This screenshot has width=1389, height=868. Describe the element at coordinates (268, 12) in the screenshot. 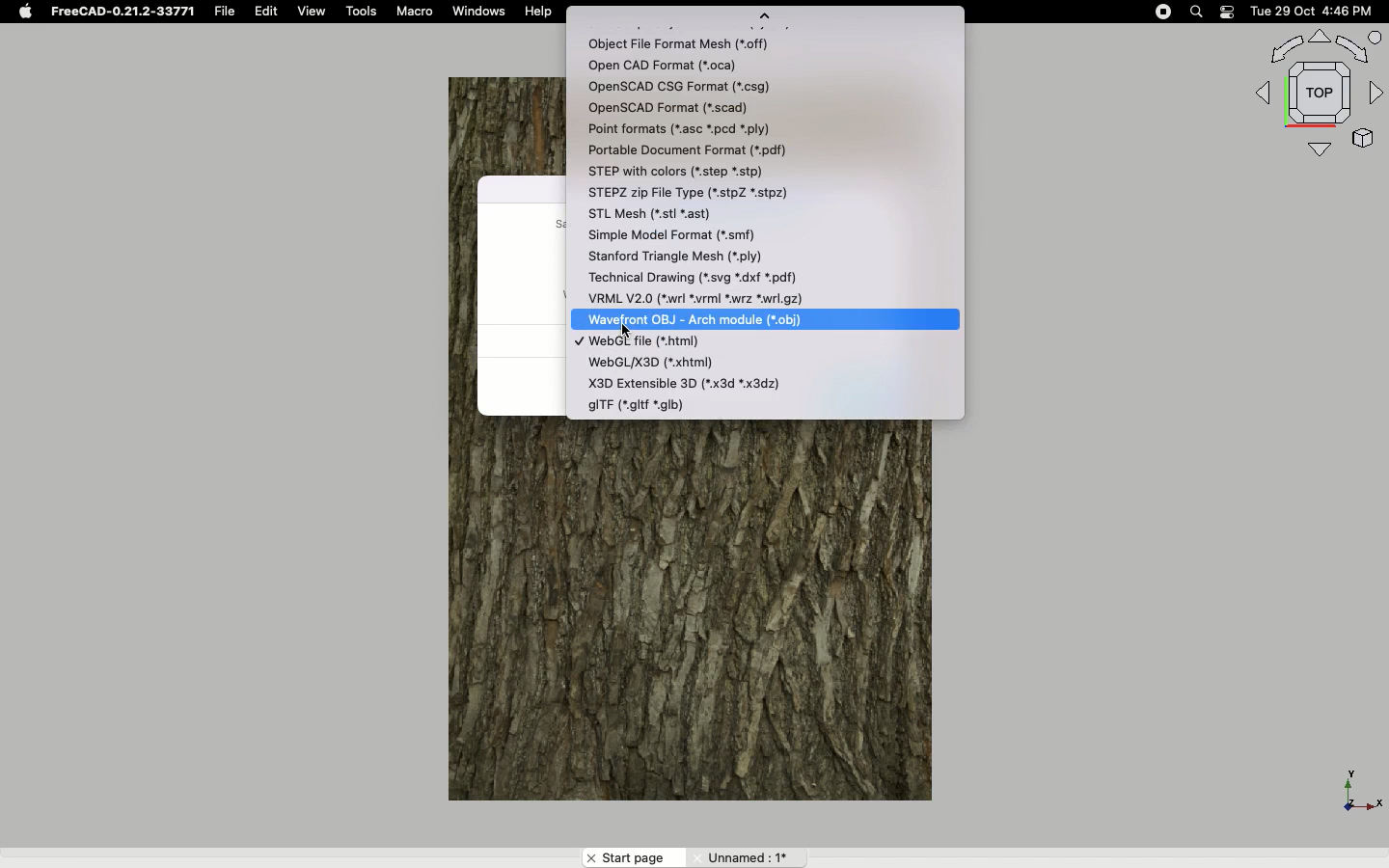

I see `Edit` at that location.